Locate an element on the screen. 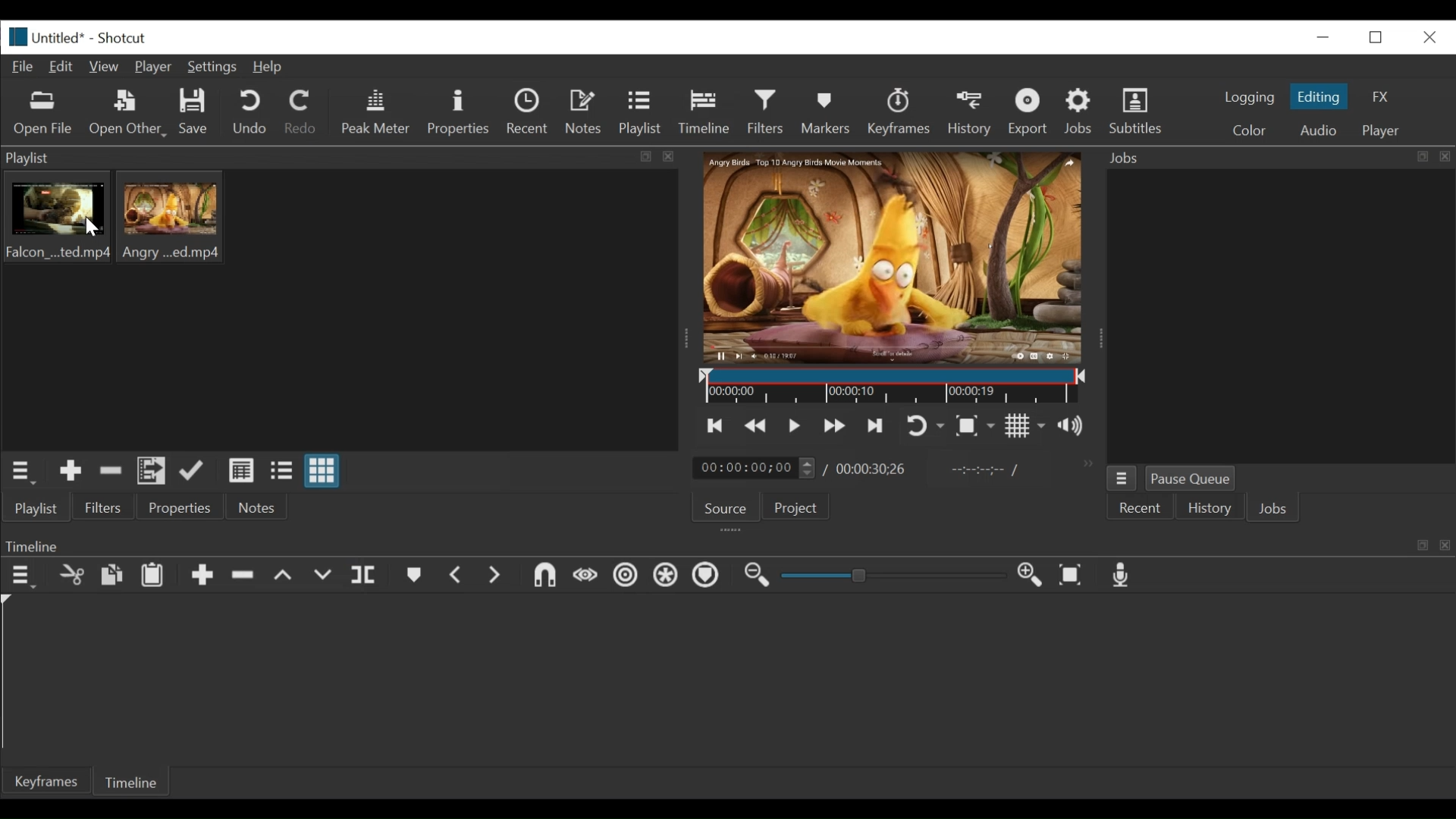 The height and width of the screenshot is (819, 1456). slider is located at coordinates (889, 576).